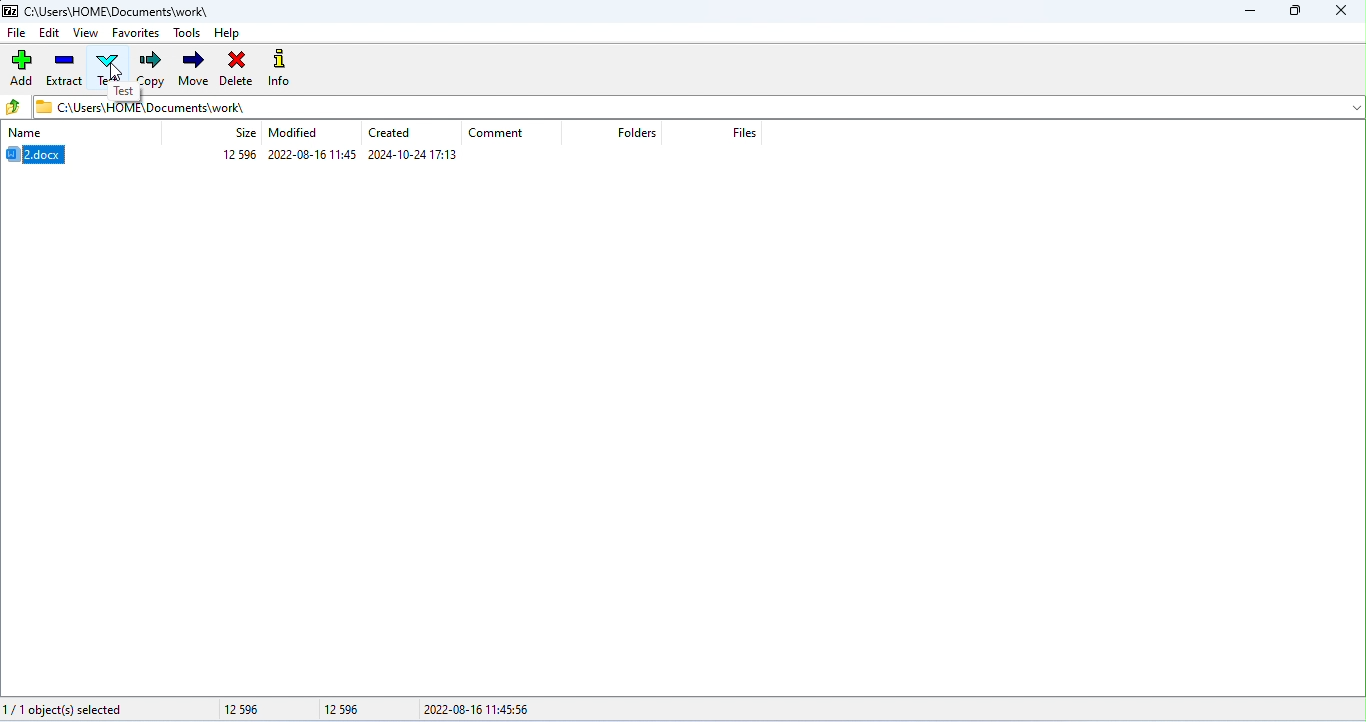  I want to click on size, so click(246, 132).